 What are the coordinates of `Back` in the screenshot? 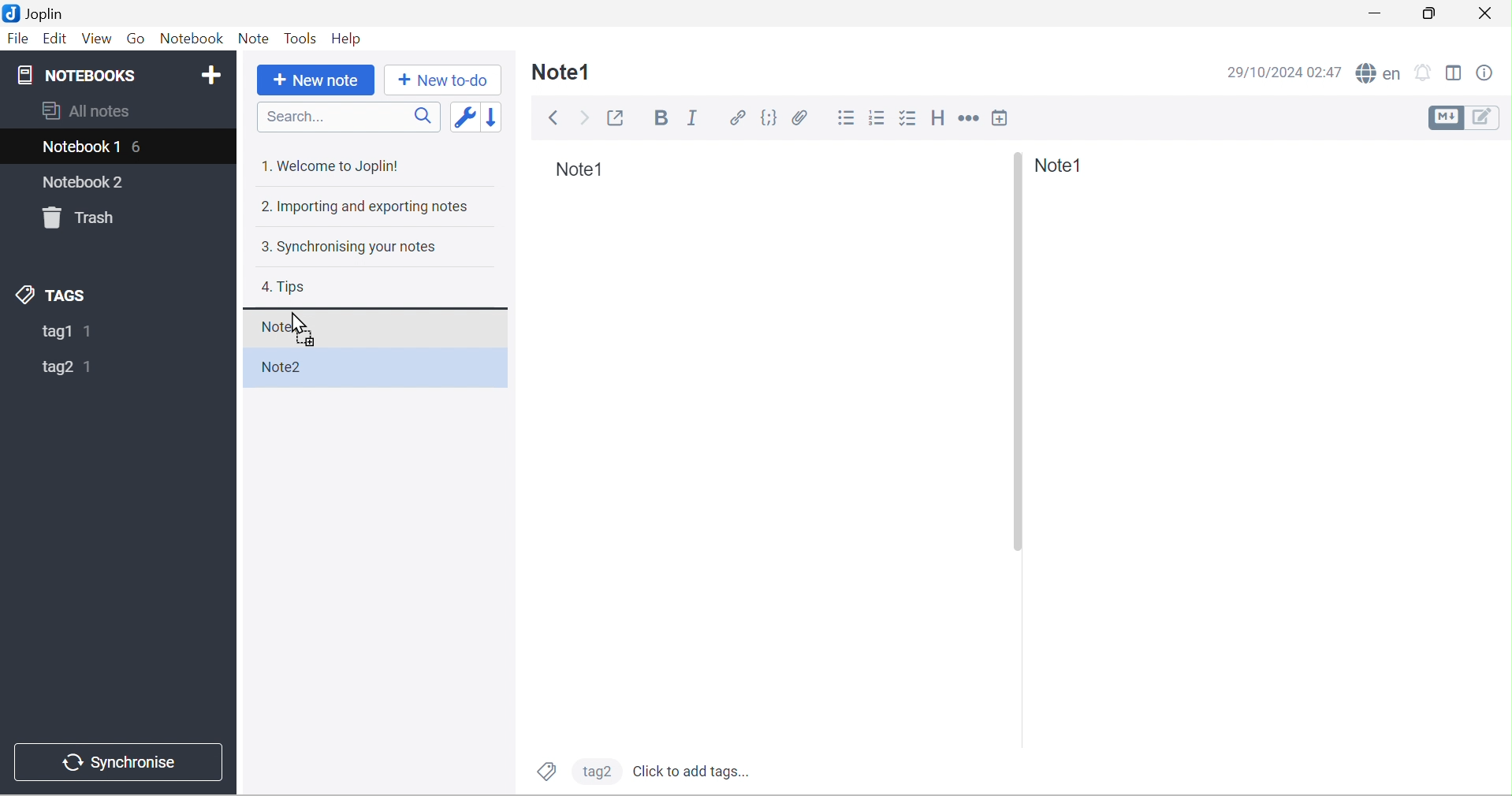 It's located at (553, 117).